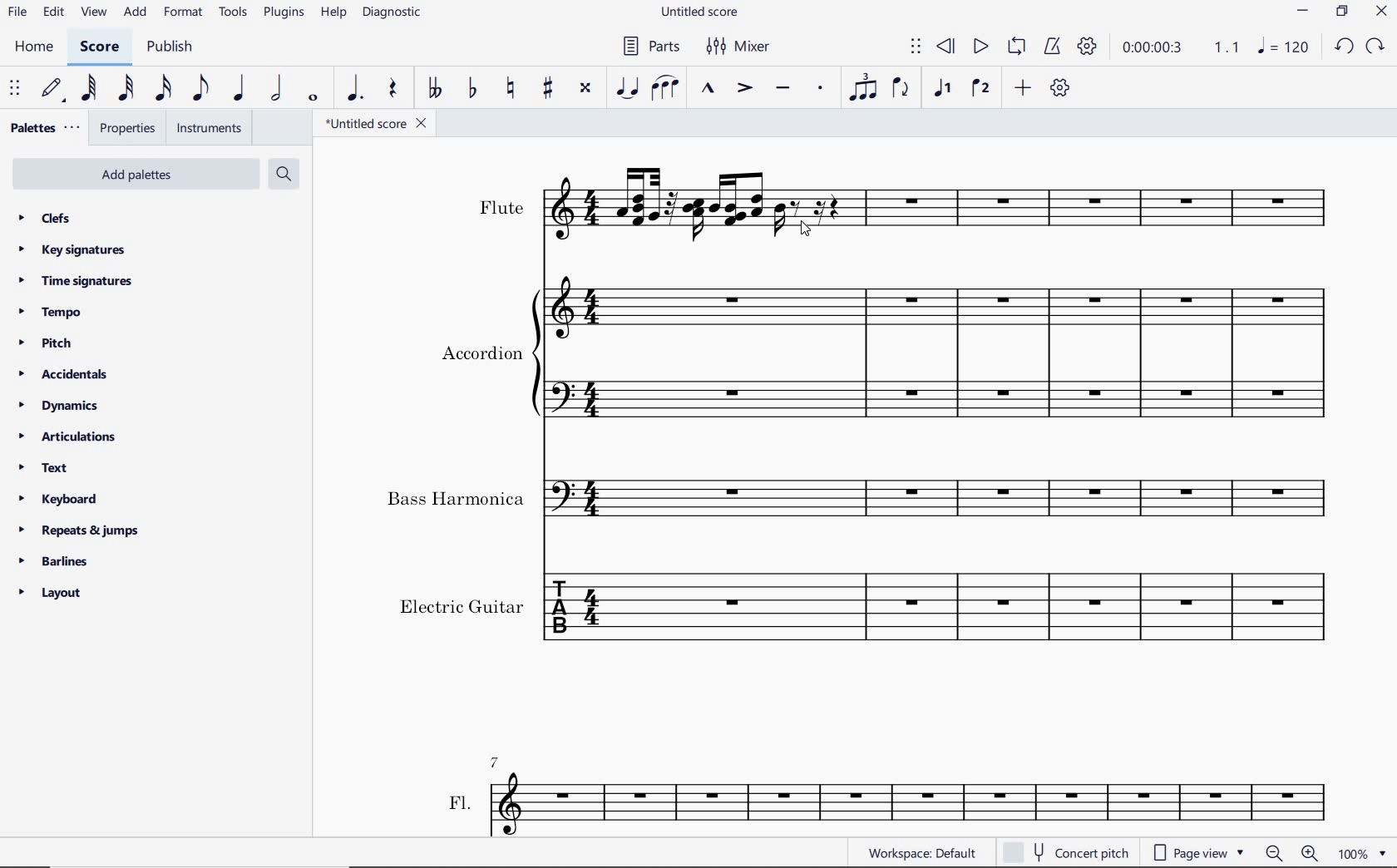  Describe the element at coordinates (472, 89) in the screenshot. I see `toggle flat` at that location.